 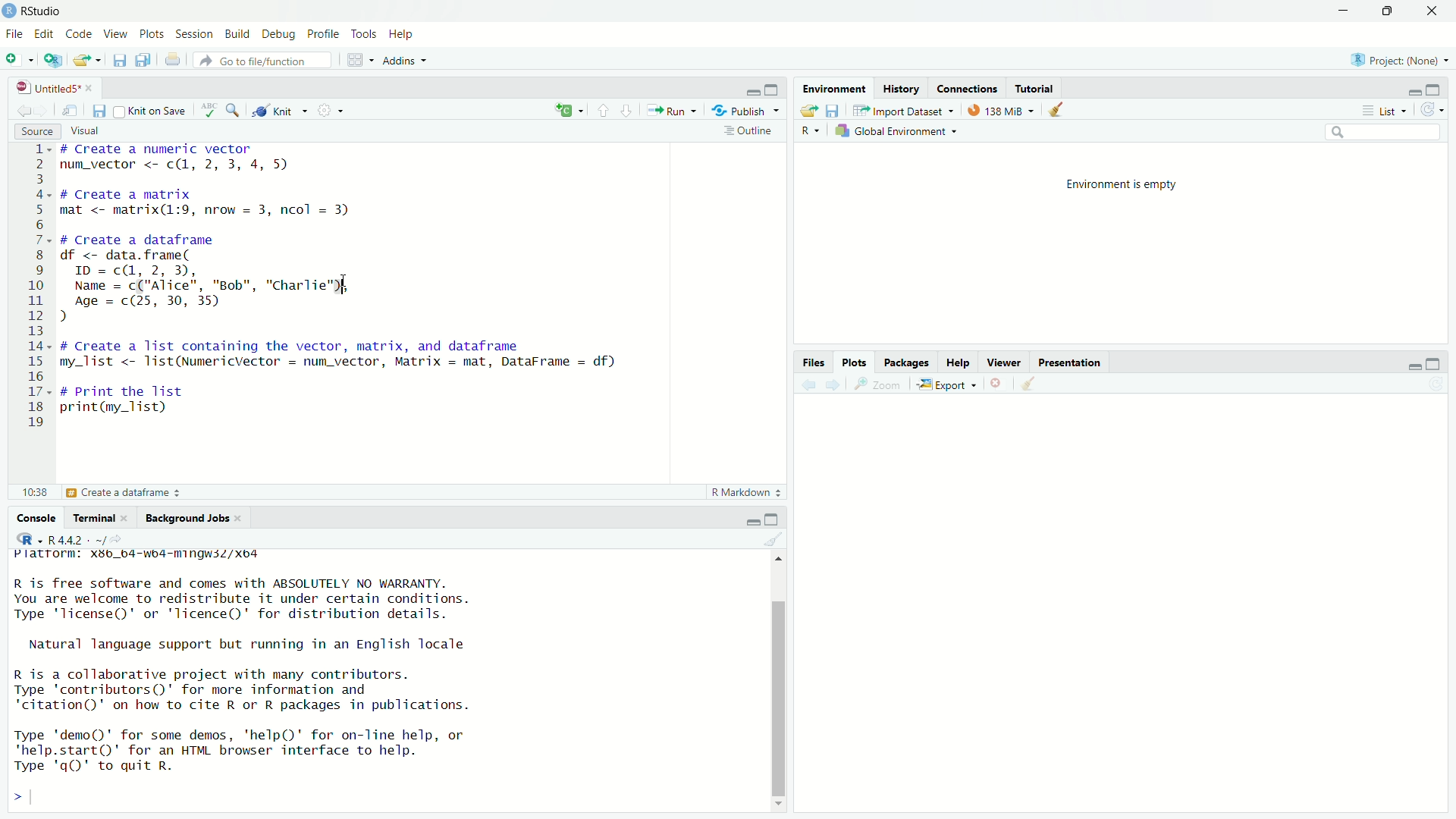 I want to click on files, so click(x=836, y=111).